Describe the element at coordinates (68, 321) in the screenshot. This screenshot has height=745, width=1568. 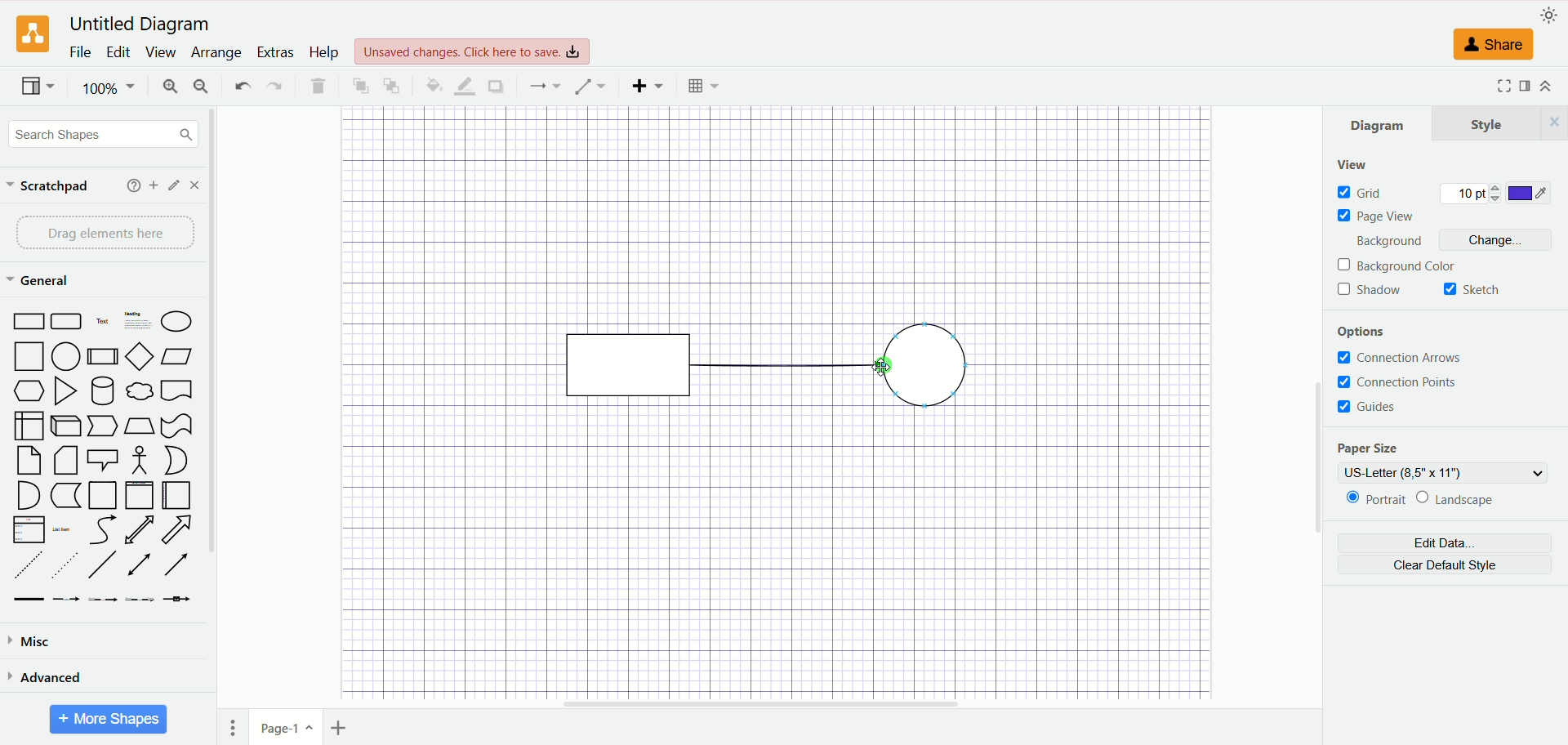
I see `Curved Edge Rectangle` at that location.